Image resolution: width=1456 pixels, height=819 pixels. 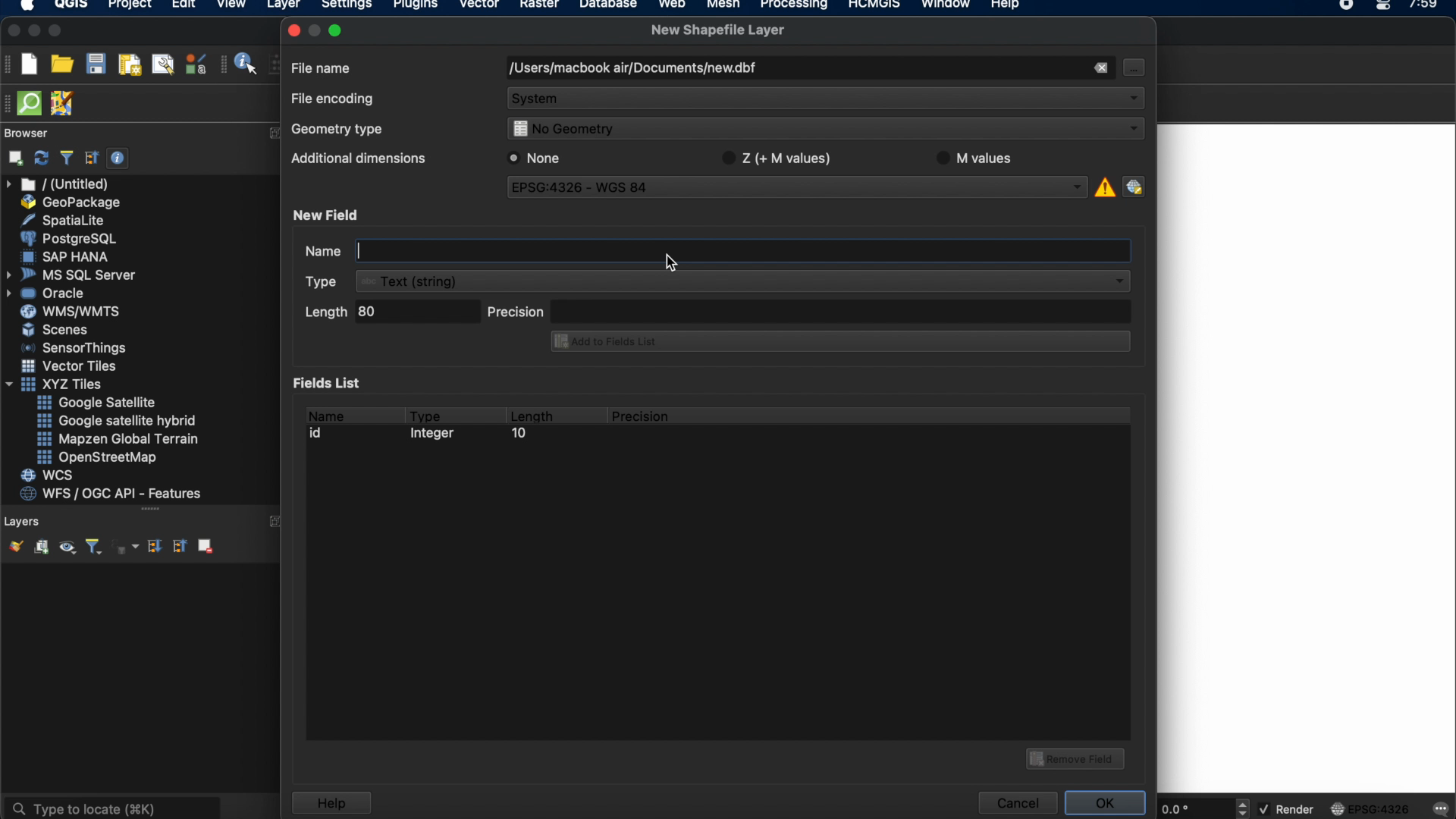 I want to click on mesh, so click(x=723, y=6).